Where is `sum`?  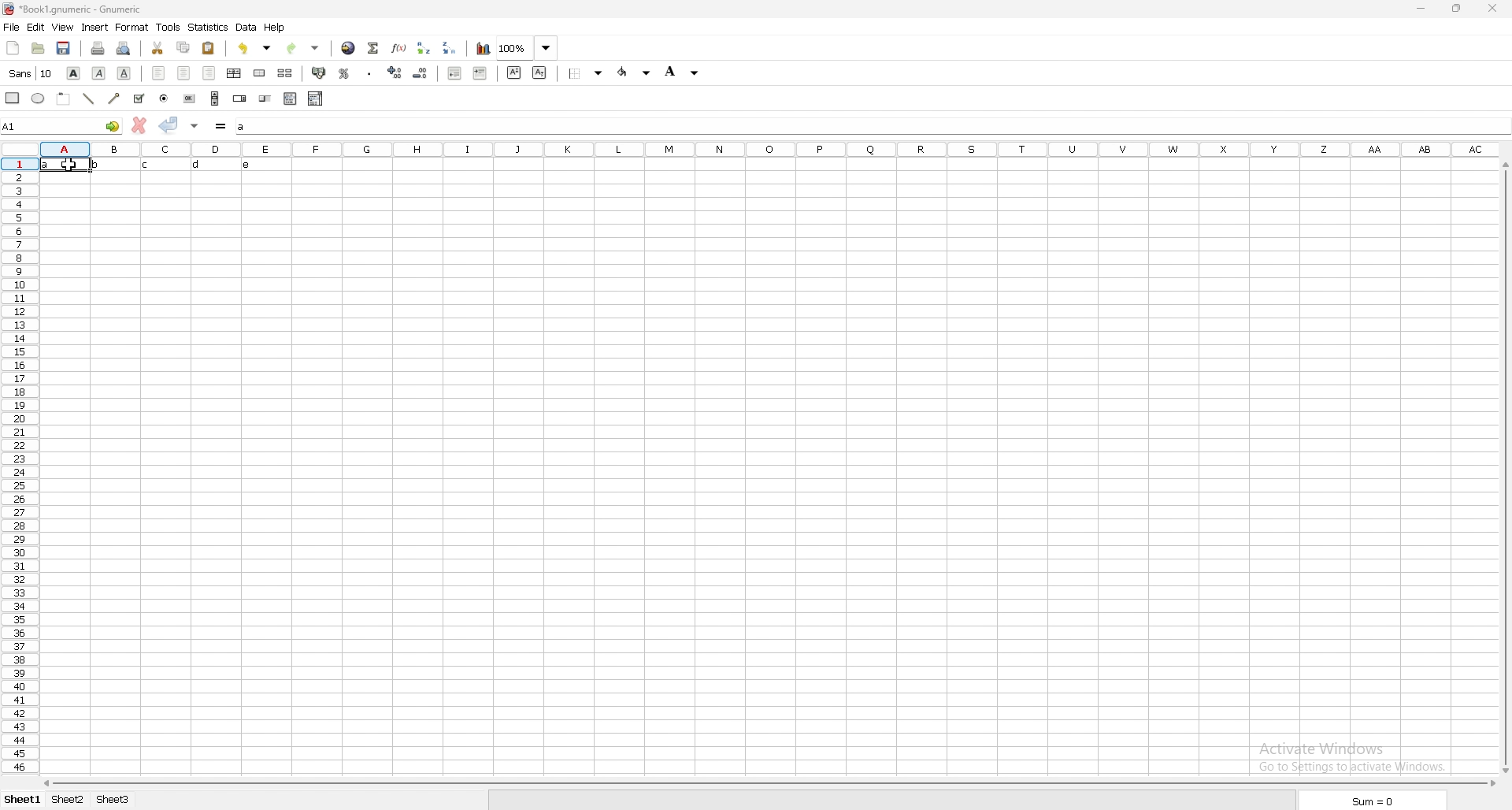 sum is located at coordinates (1374, 801).